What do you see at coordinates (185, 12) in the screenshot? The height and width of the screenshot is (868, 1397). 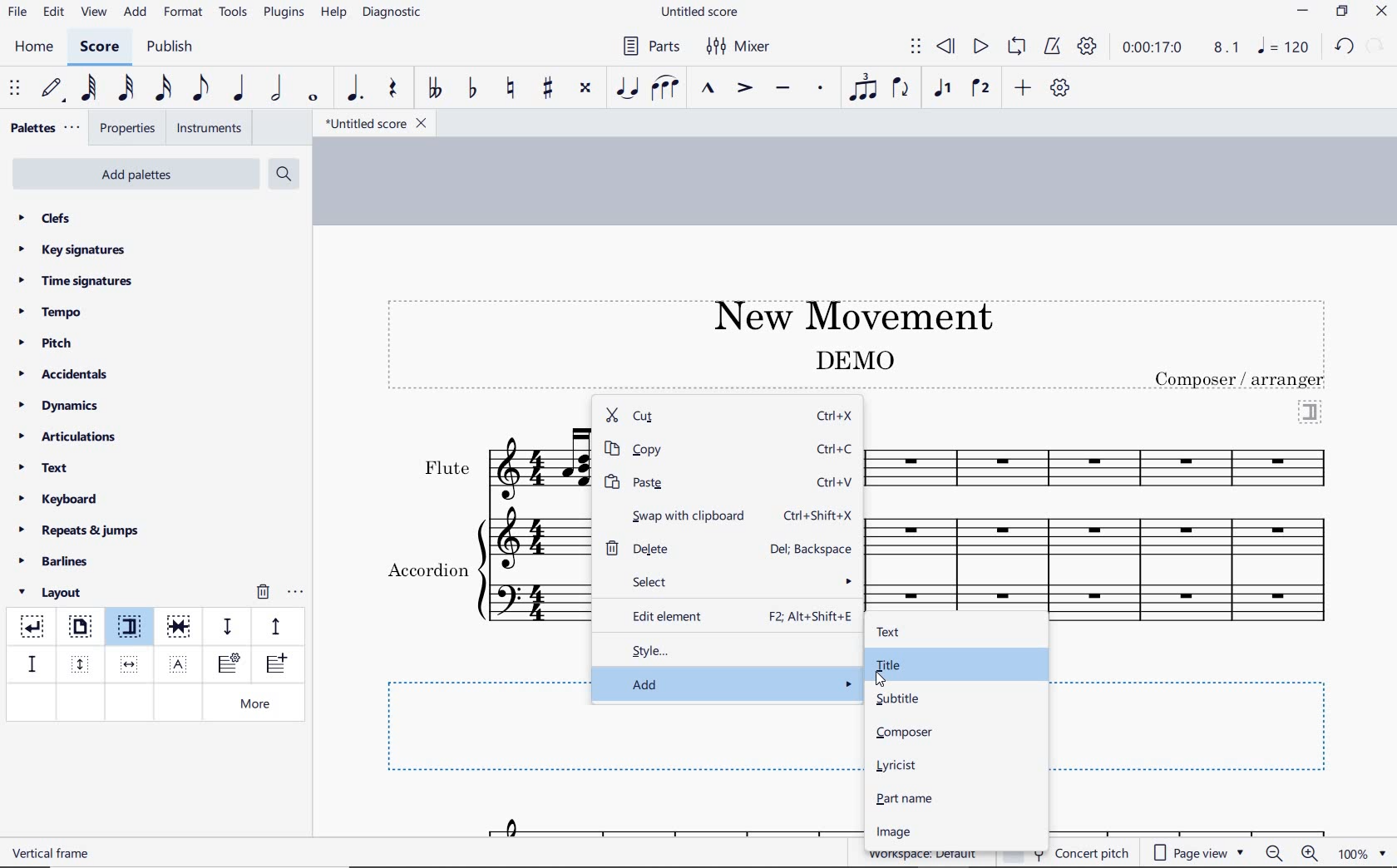 I see `format` at bounding box center [185, 12].